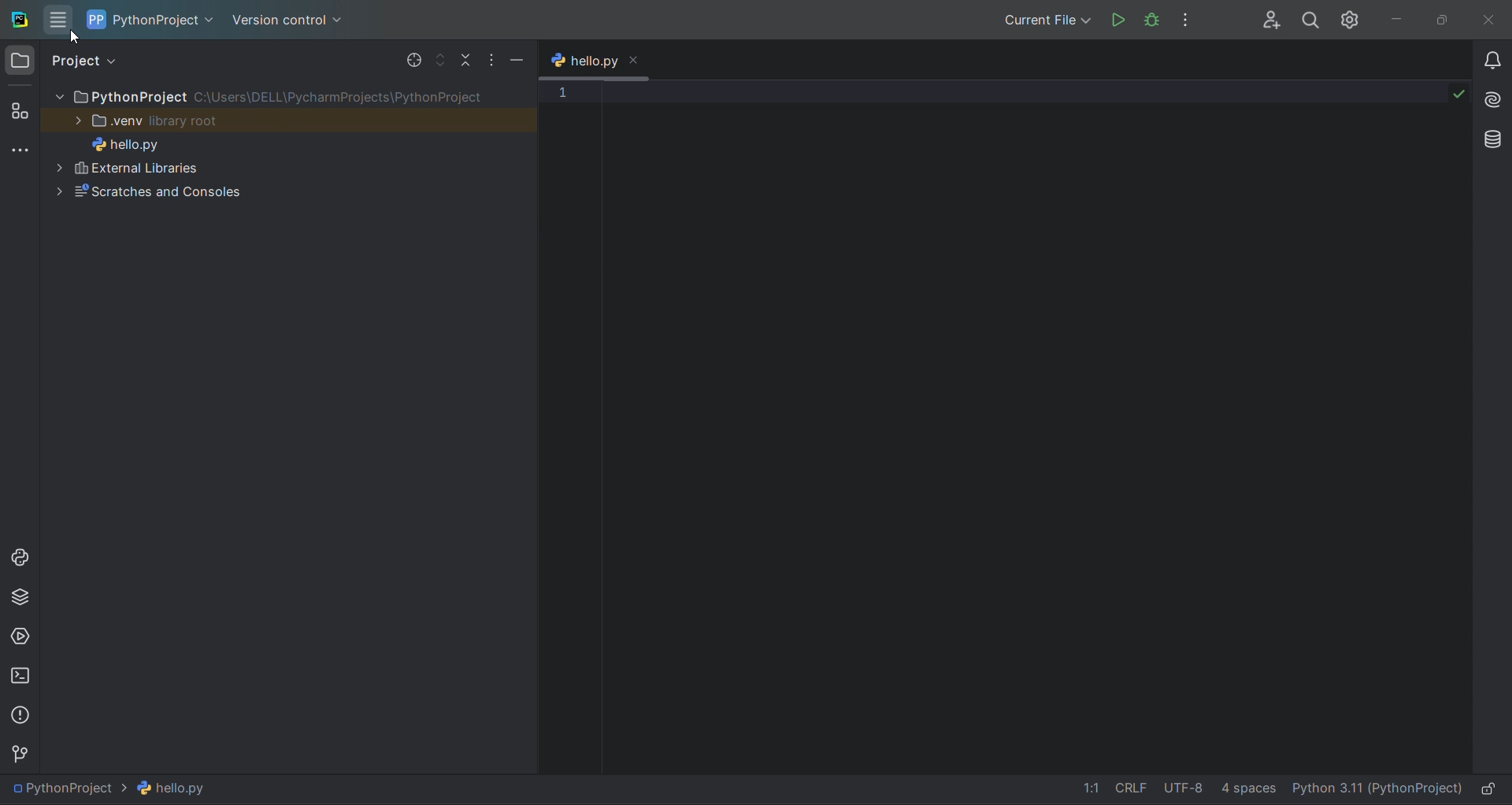  I want to click on file path, so click(115, 789).